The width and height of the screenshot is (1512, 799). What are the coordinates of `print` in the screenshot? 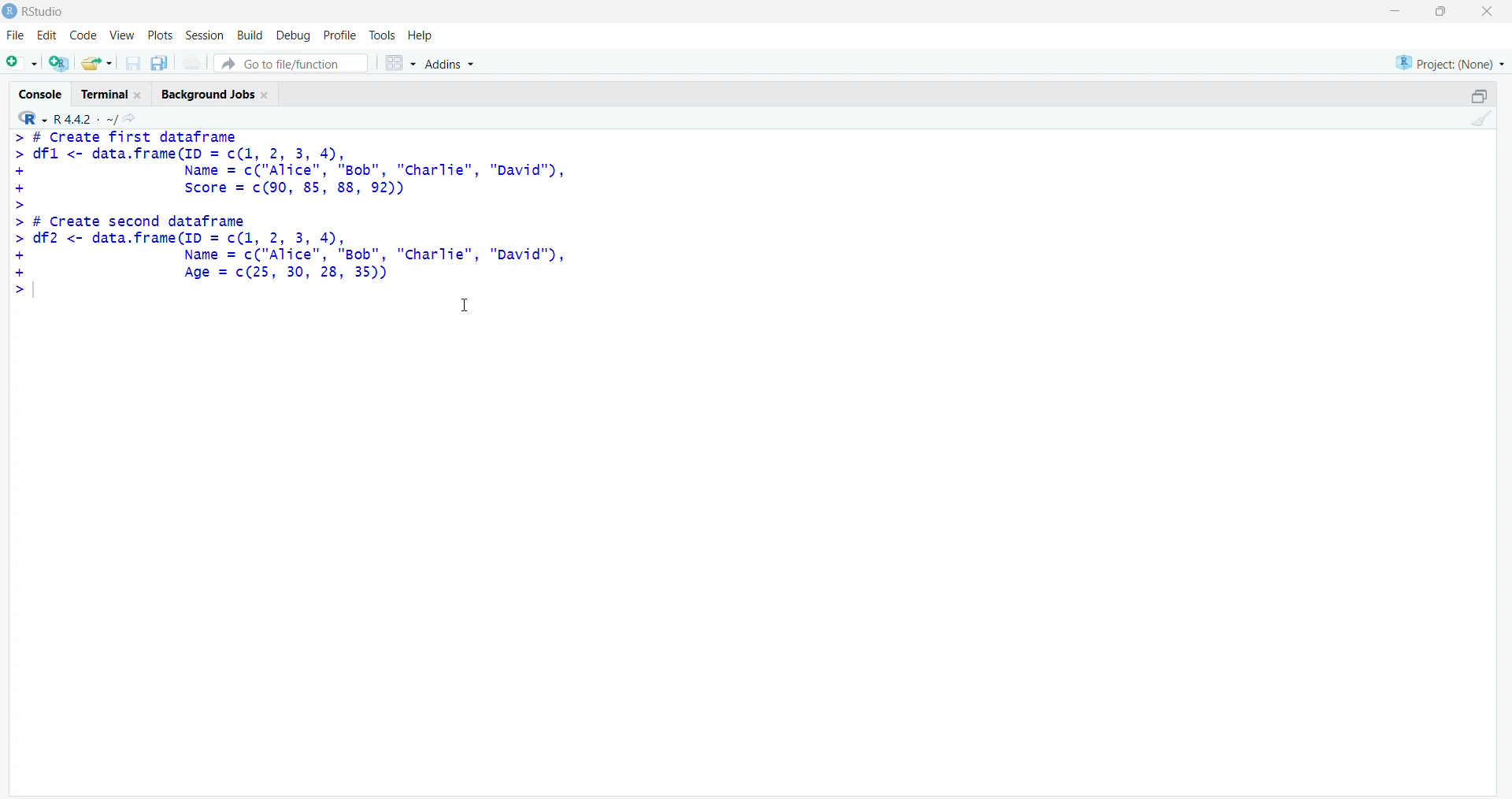 It's located at (193, 61).